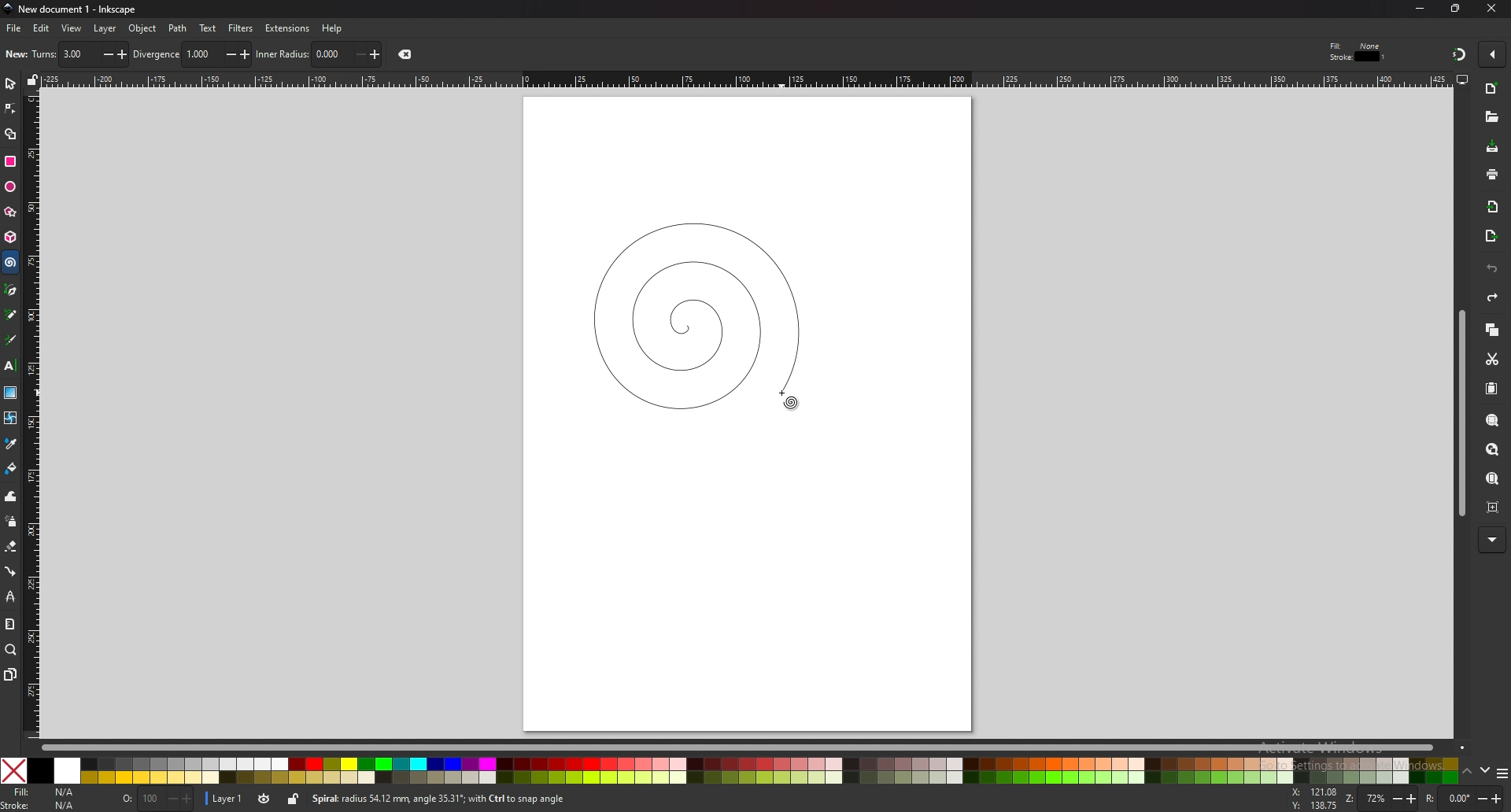 Image resolution: width=1511 pixels, height=812 pixels. Describe the element at coordinates (1459, 416) in the screenshot. I see `scroll bar` at that location.